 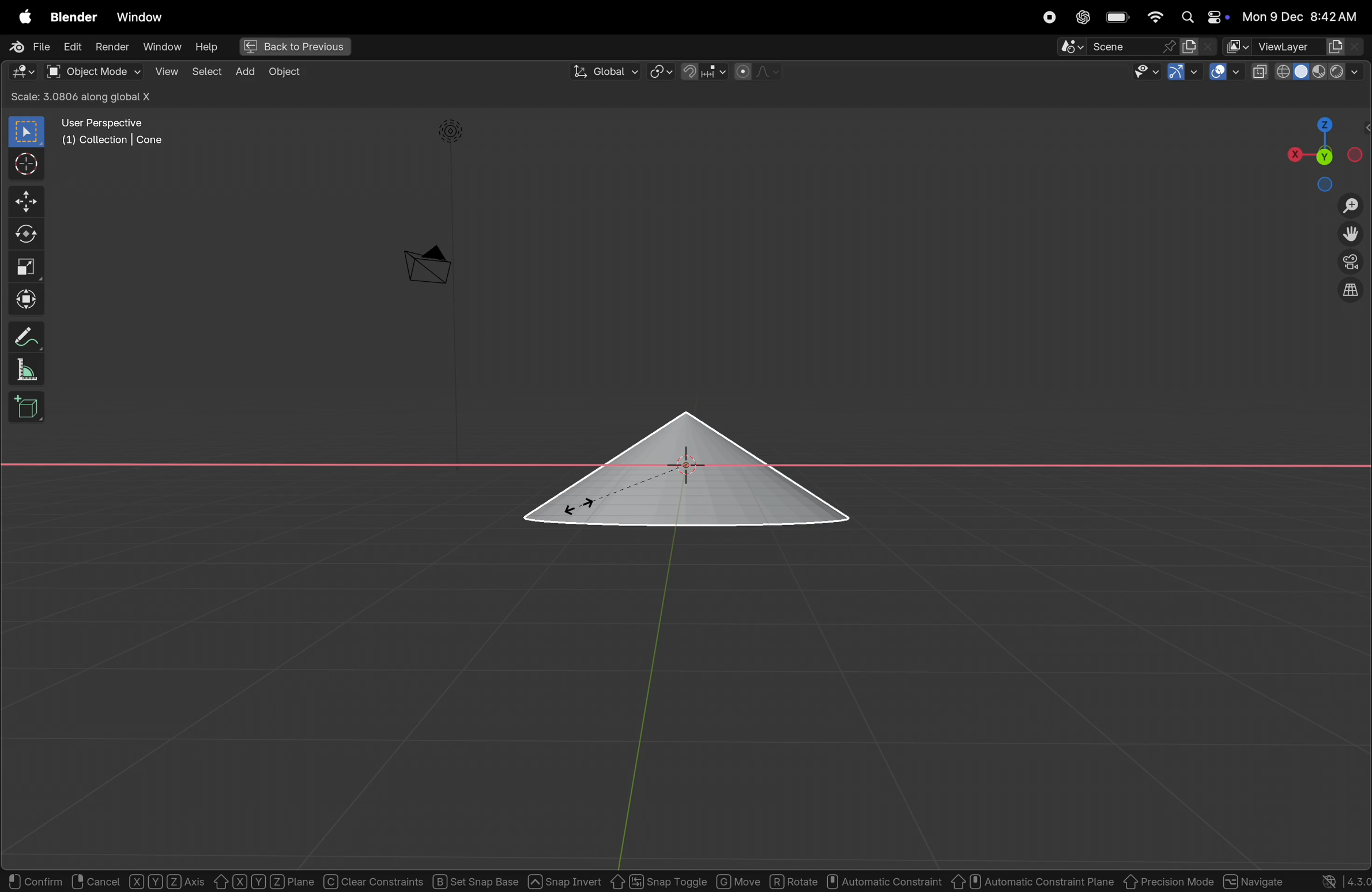 What do you see at coordinates (427, 265) in the screenshot?
I see `camera perspetive` at bounding box center [427, 265].